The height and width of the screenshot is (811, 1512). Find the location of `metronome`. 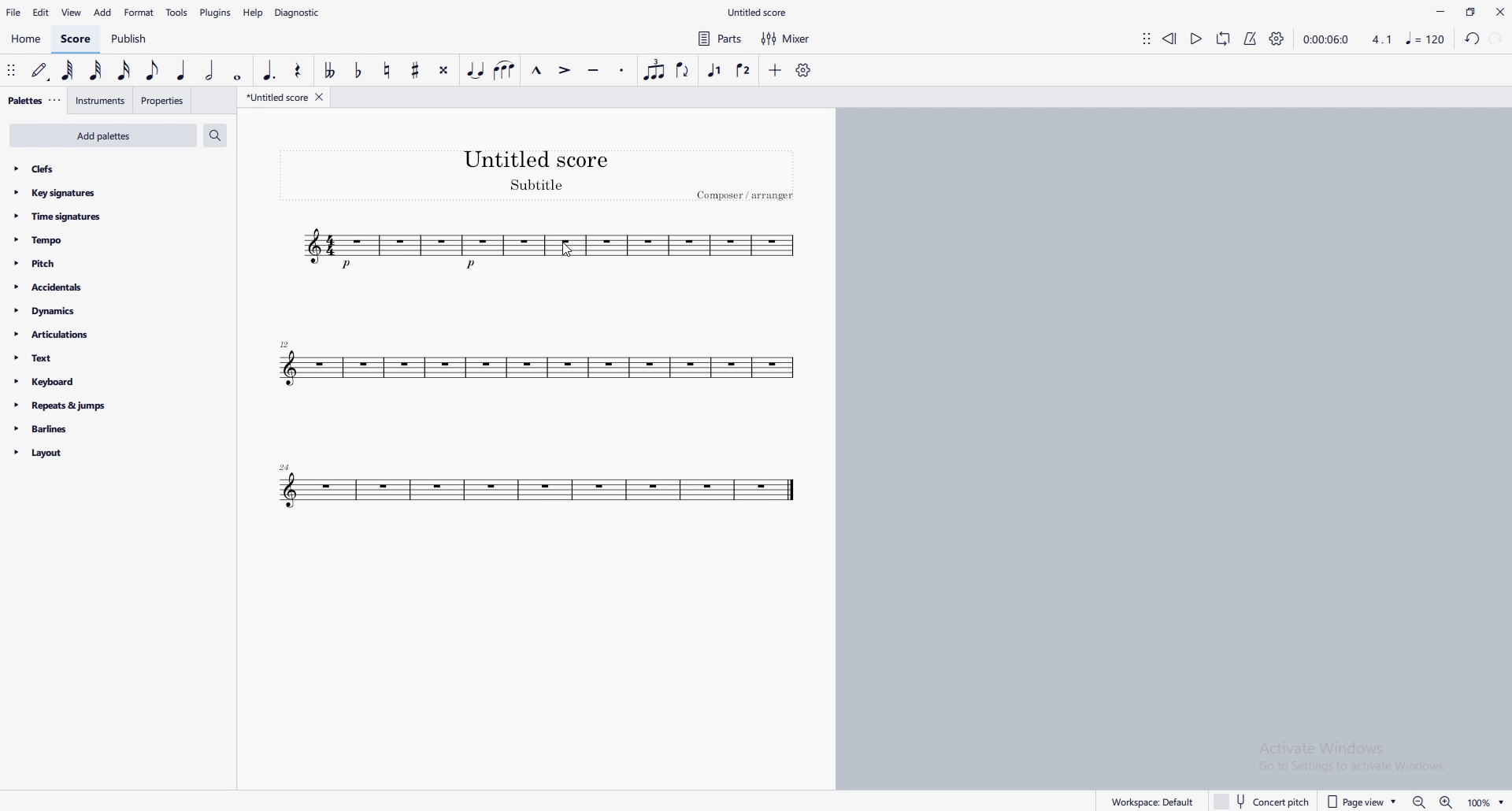

metronome is located at coordinates (1251, 38).